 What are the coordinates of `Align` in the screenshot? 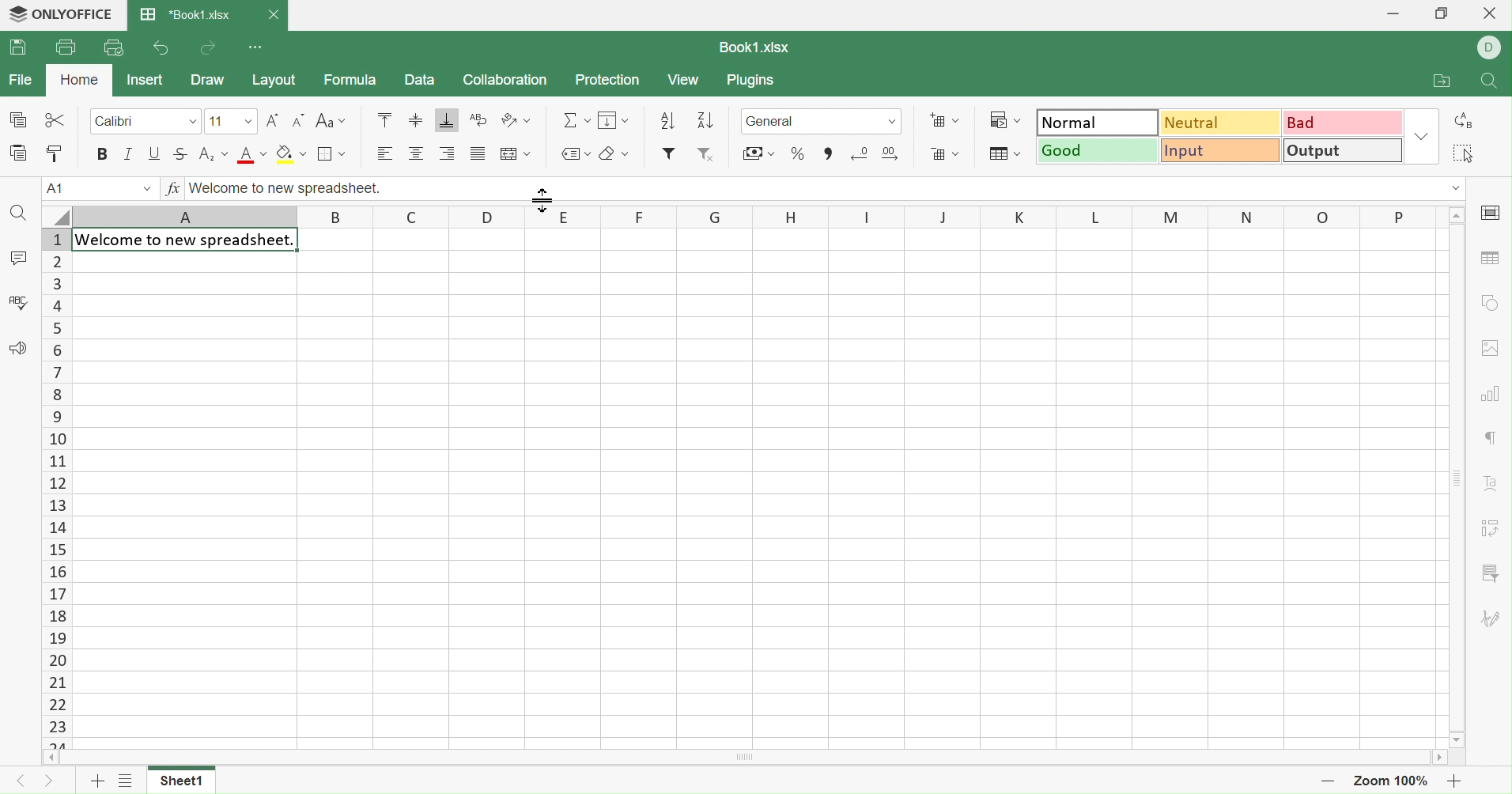 It's located at (415, 154).